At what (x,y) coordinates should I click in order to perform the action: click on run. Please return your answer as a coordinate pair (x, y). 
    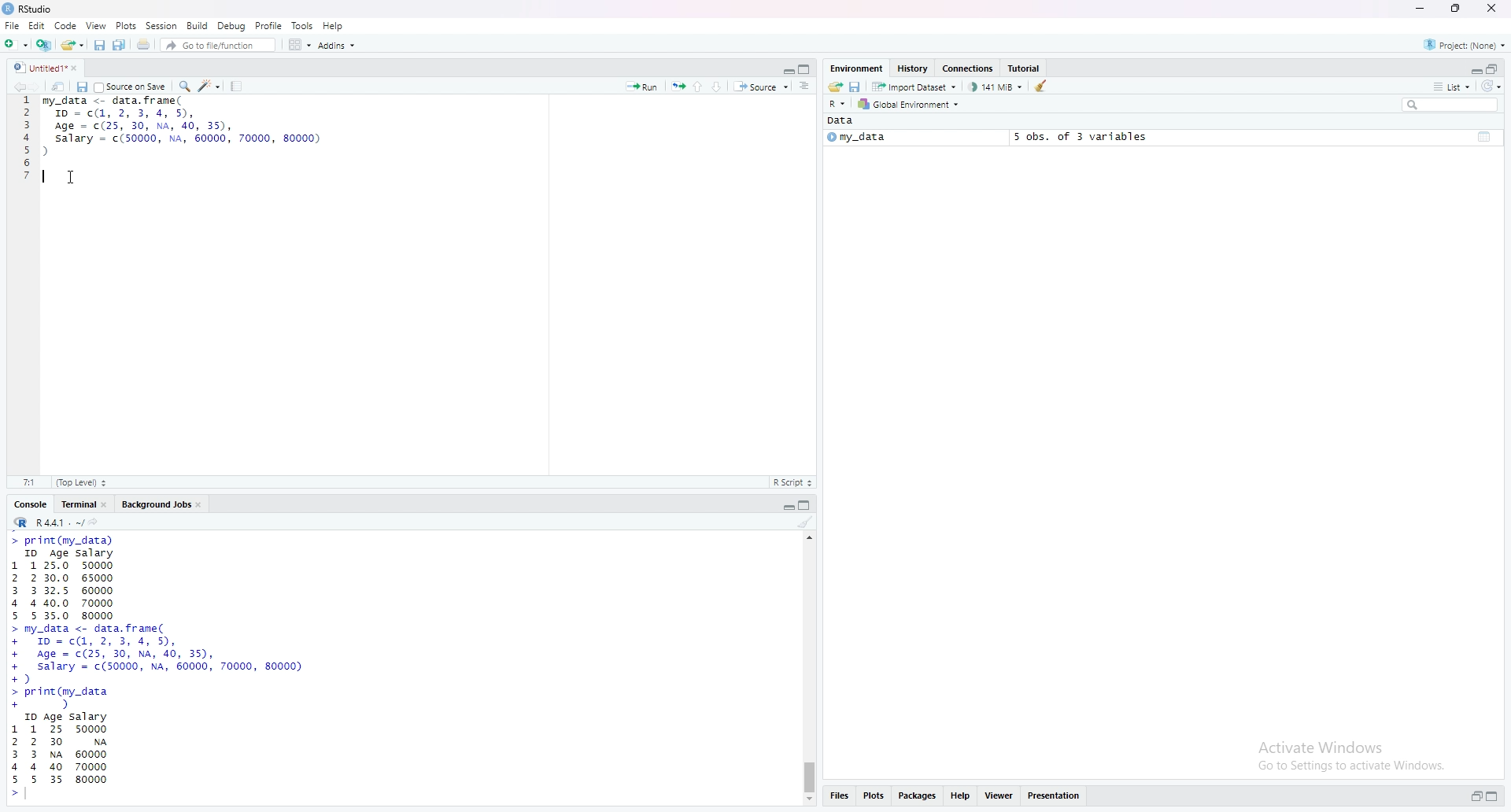
    Looking at the image, I should click on (641, 87).